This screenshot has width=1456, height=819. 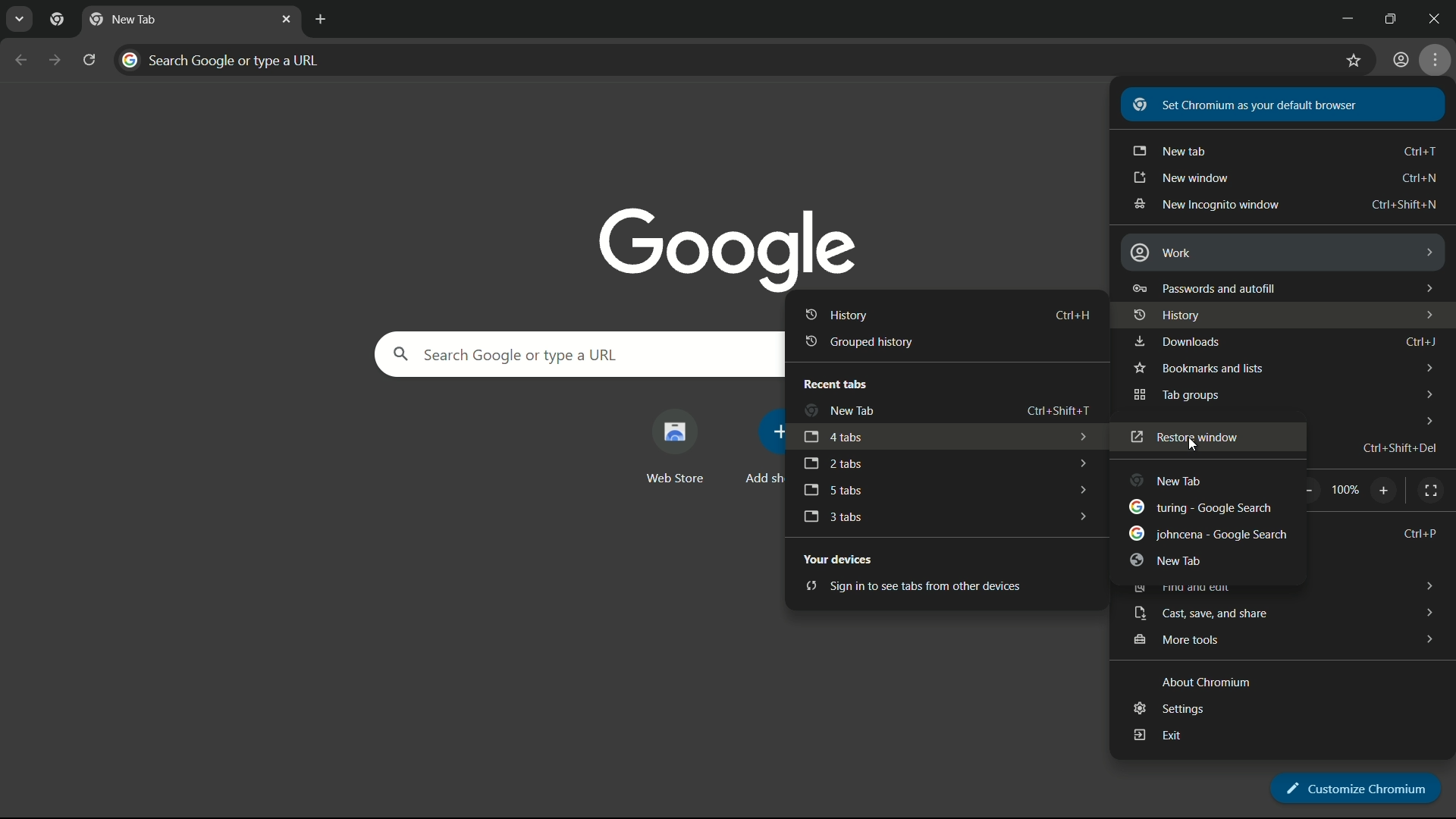 What do you see at coordinates (574, 353) in the screenshot?
I see `search google or type a url` at bounding box center [574, 353].